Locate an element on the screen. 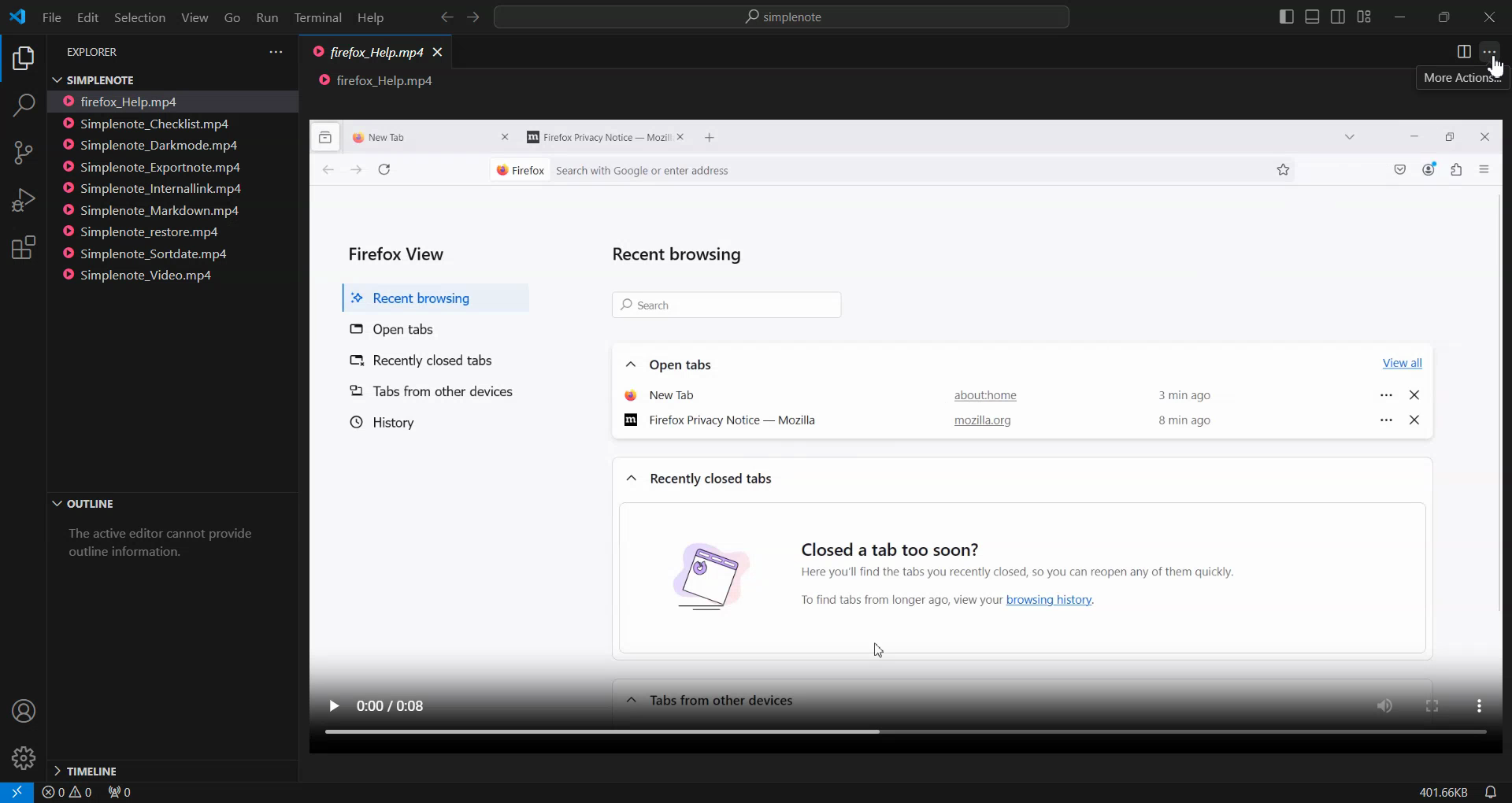  | Simplenote_restore.mp4 is located at coordinates (146, 233).